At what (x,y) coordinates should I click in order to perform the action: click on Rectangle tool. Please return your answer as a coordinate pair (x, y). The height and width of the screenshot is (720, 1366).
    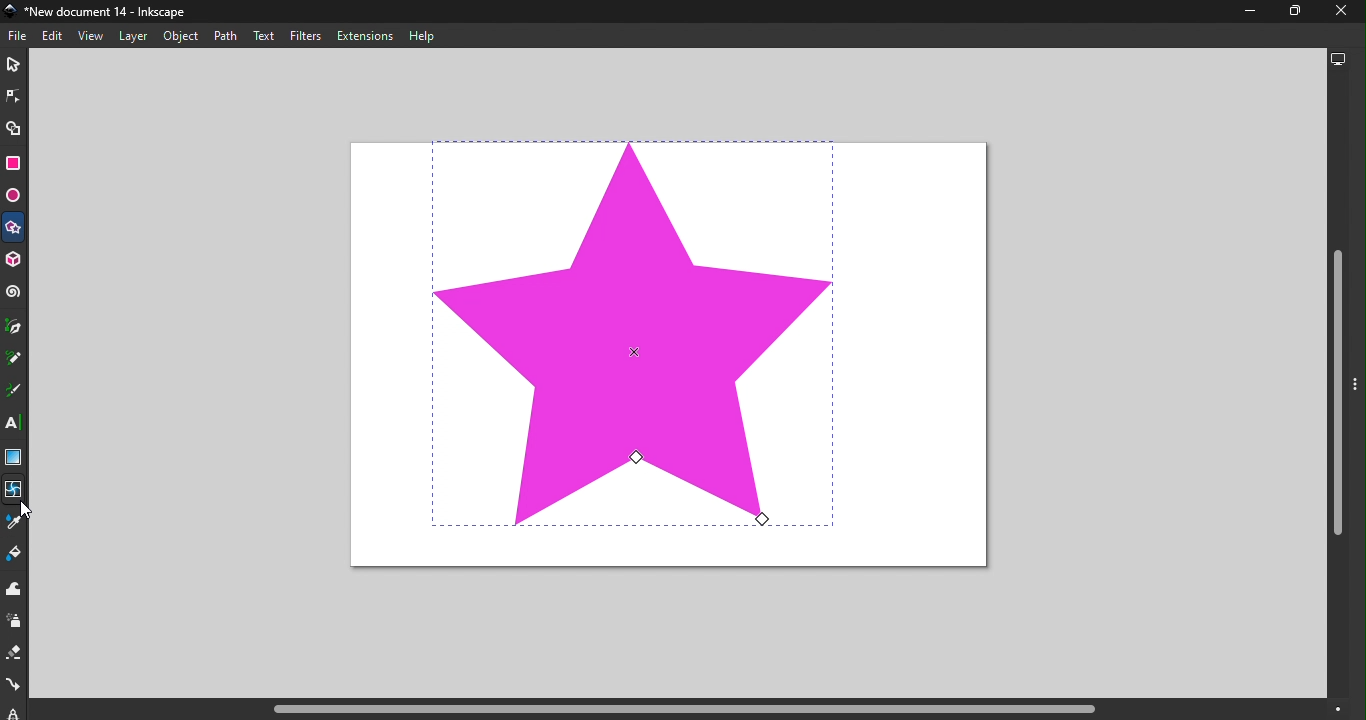
    Looking at the image, I should click on (13, 165).